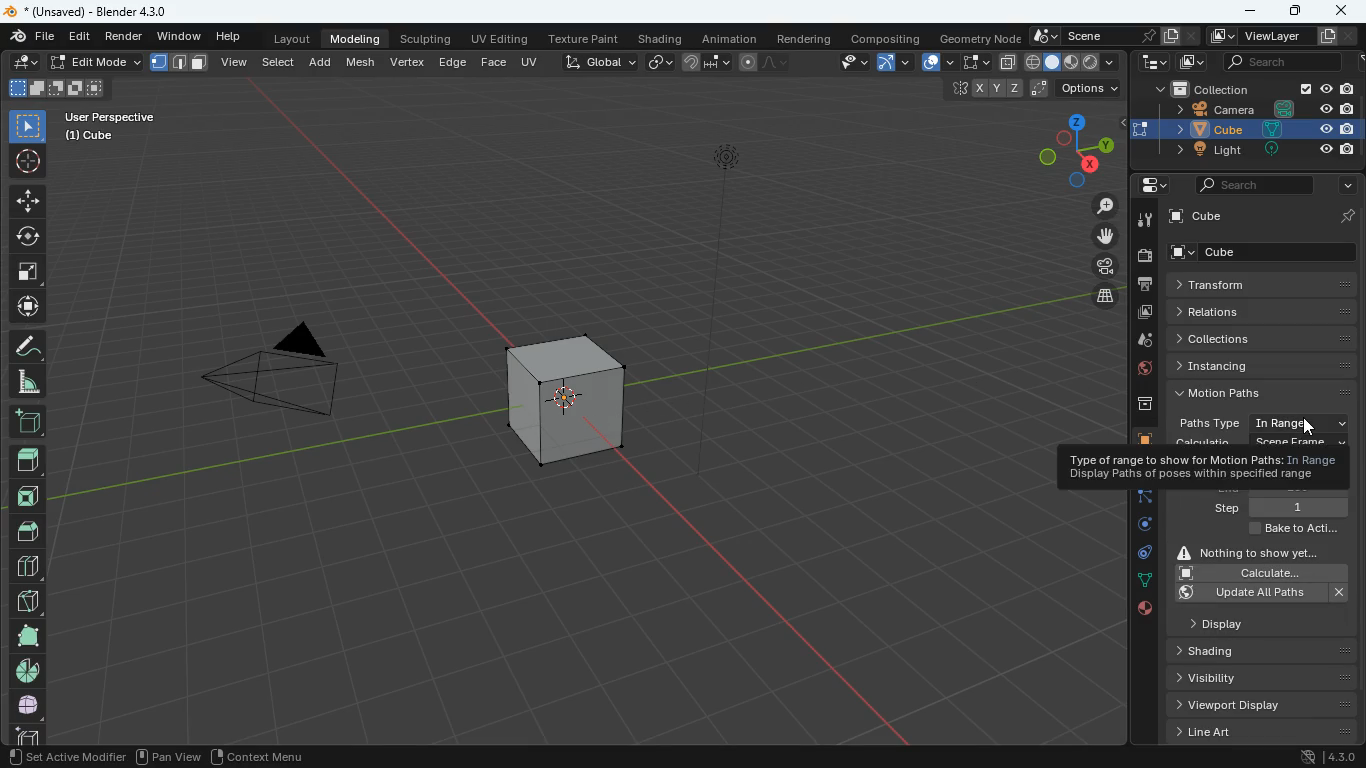  What do you see at coordinates (1267, 365) in the screenshot?
I see `instancing` at bounding box center [1267, 365].